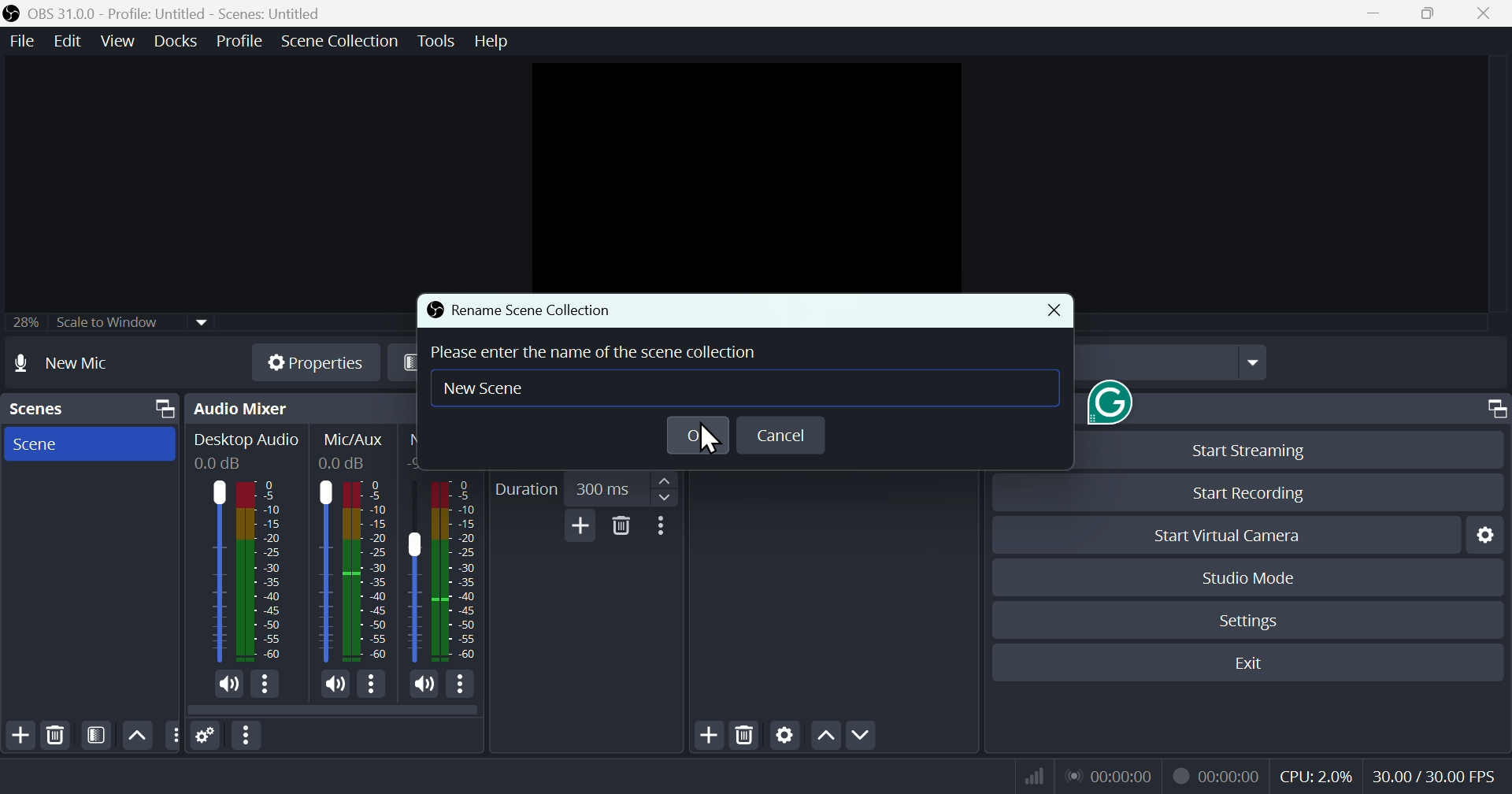 This screenshot has height=794, width=1512. Describe the element at coordinates (1255, 625) in the screenshot. I see `Settings` at that location.